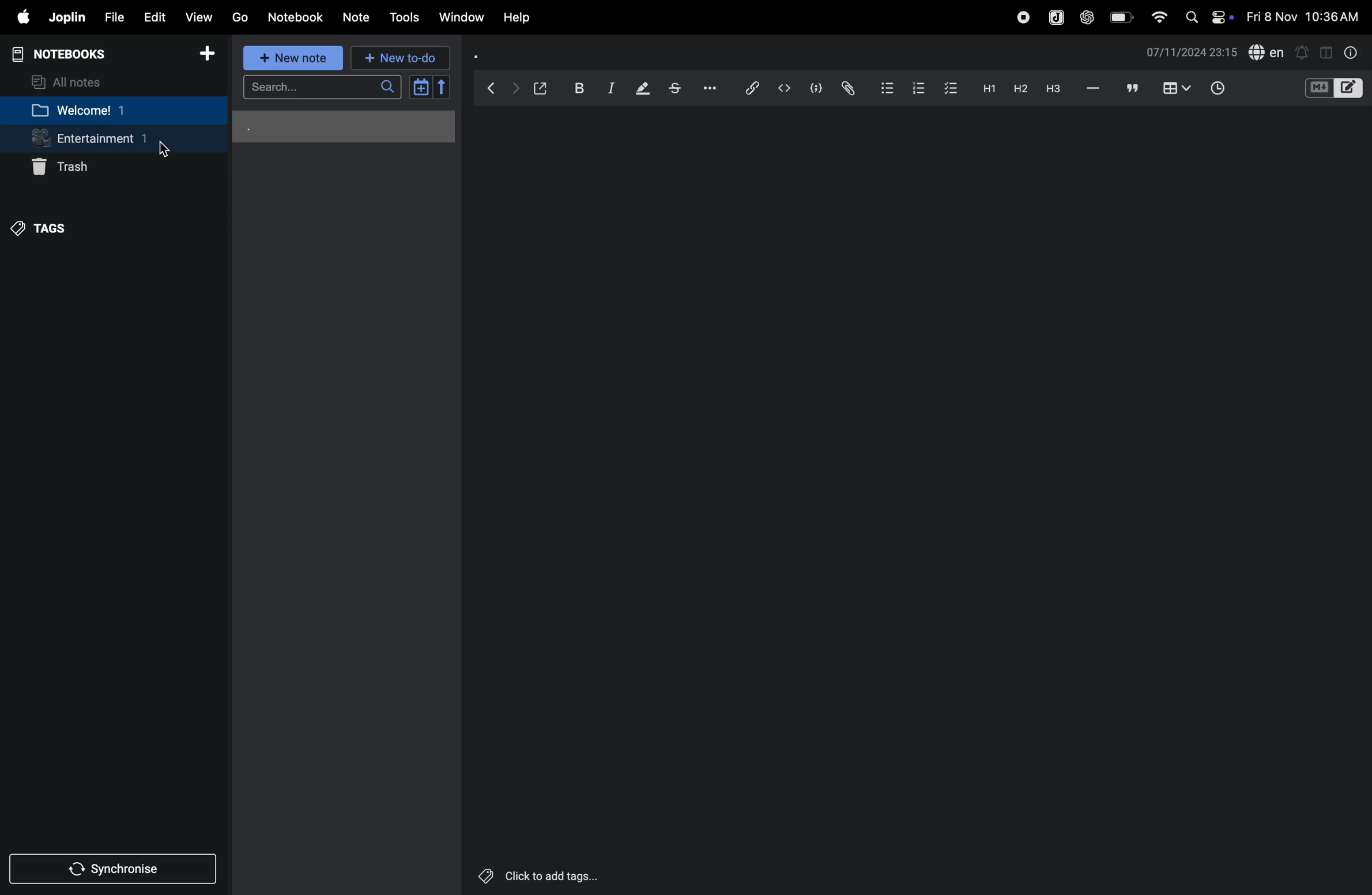  Describe the element at coordinates (405, 17) in the screenshot. I see `tools` at that location.